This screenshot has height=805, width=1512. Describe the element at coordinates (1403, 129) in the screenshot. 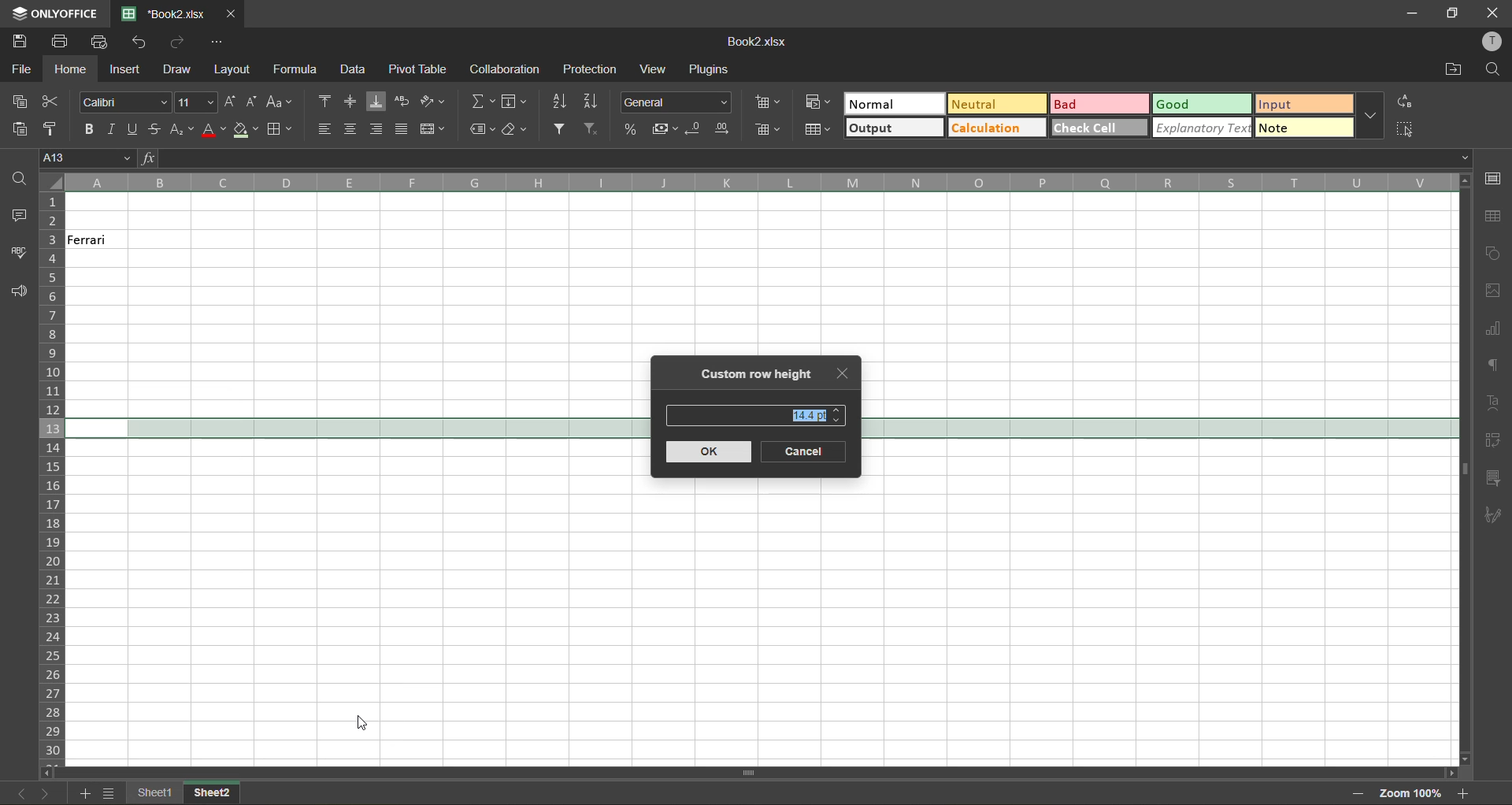

I see `select all` at that location.